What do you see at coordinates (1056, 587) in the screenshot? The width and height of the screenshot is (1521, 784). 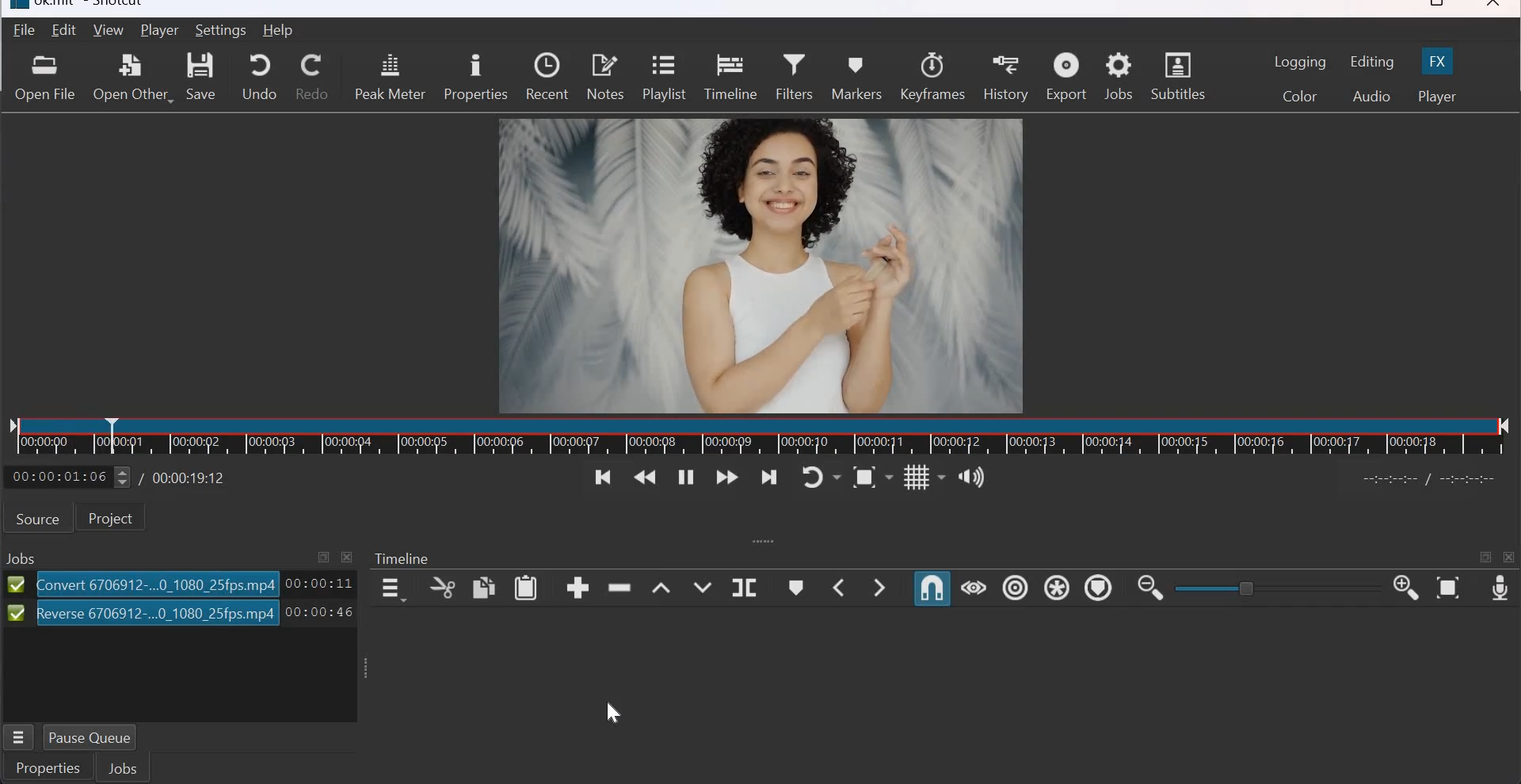 I see `Ripple all tracks` at bounding box center [1056, 587].